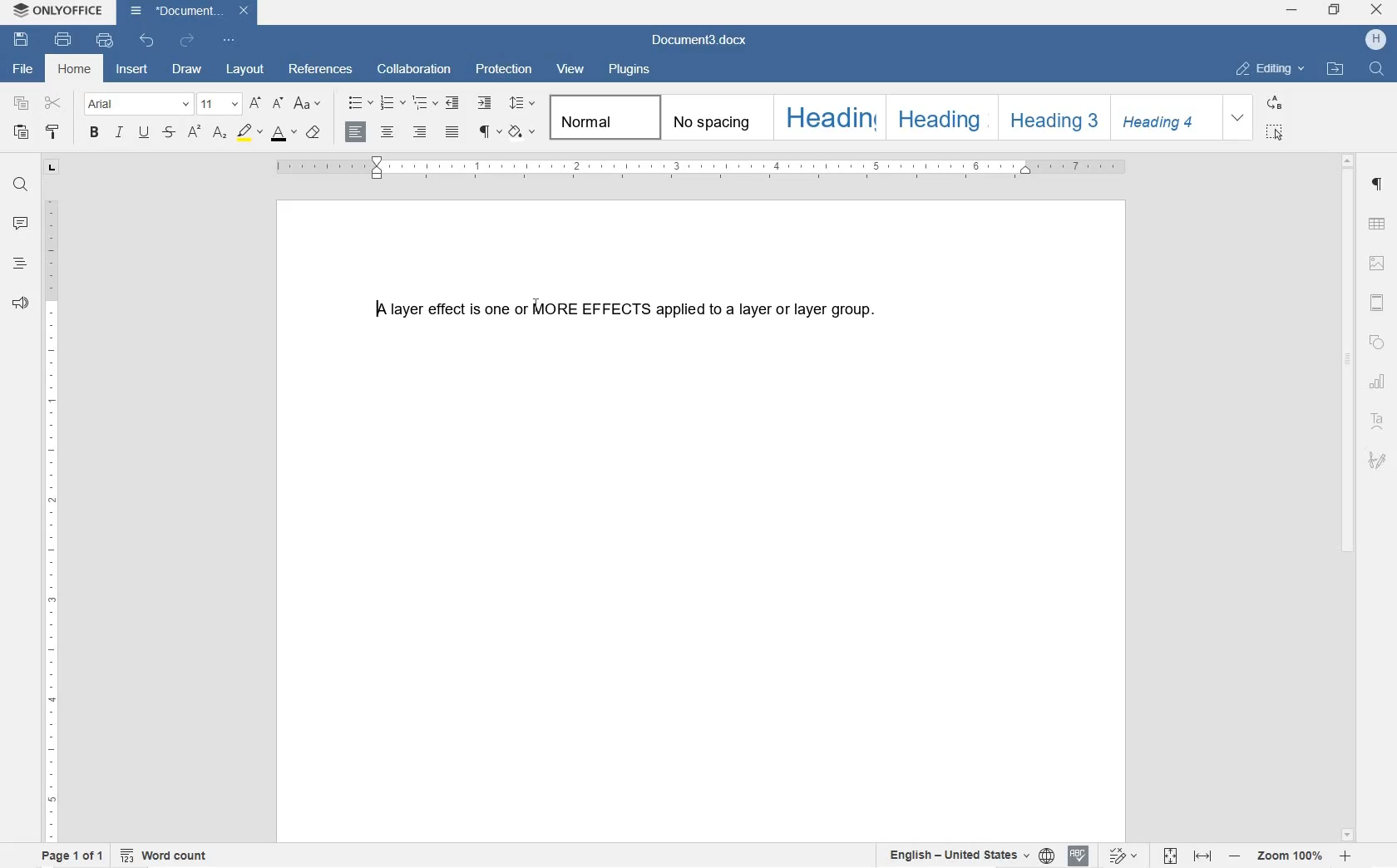 The image size is (1397, 868). What do you see at coordinates (309, 104) in the screenshot?
I see `CHANGE CASE` at bounding box center [309, 104].